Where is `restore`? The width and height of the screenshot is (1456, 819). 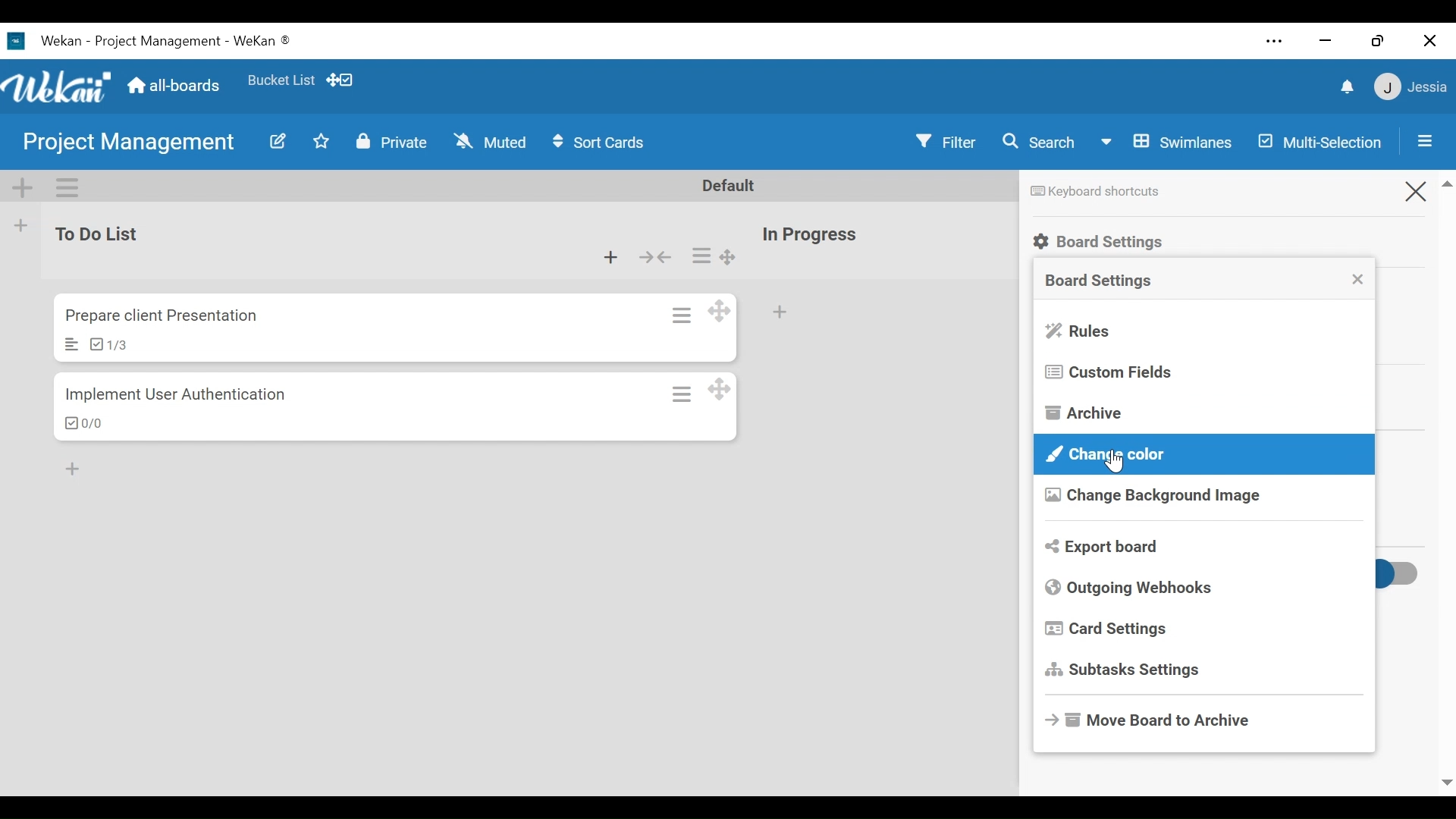
restore is located at coordinates (1379, 41).